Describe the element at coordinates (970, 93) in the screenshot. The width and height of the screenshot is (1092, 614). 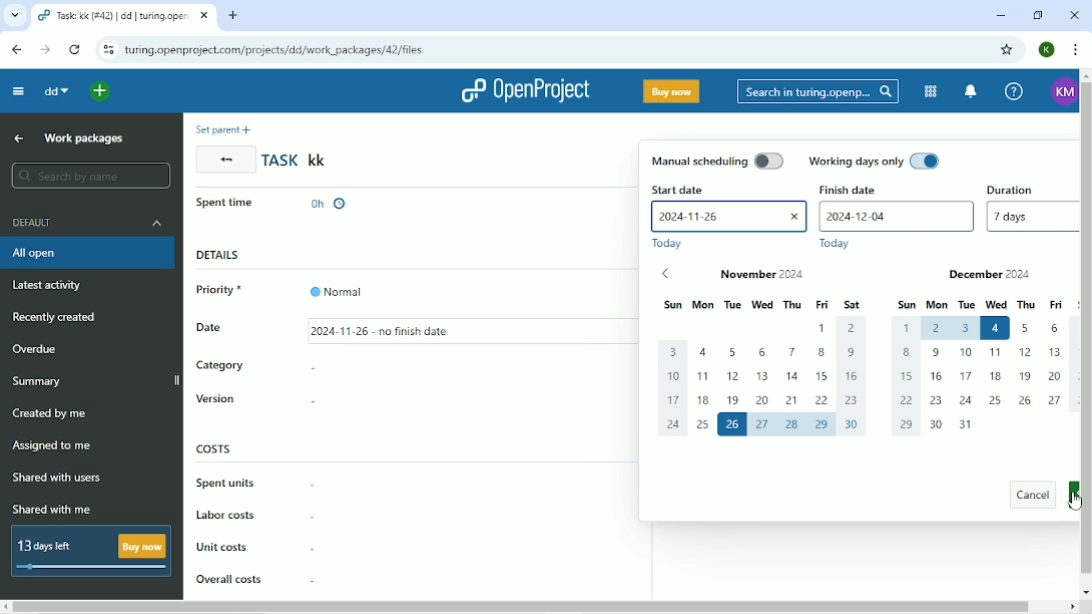
I see `To notification center` at that location.